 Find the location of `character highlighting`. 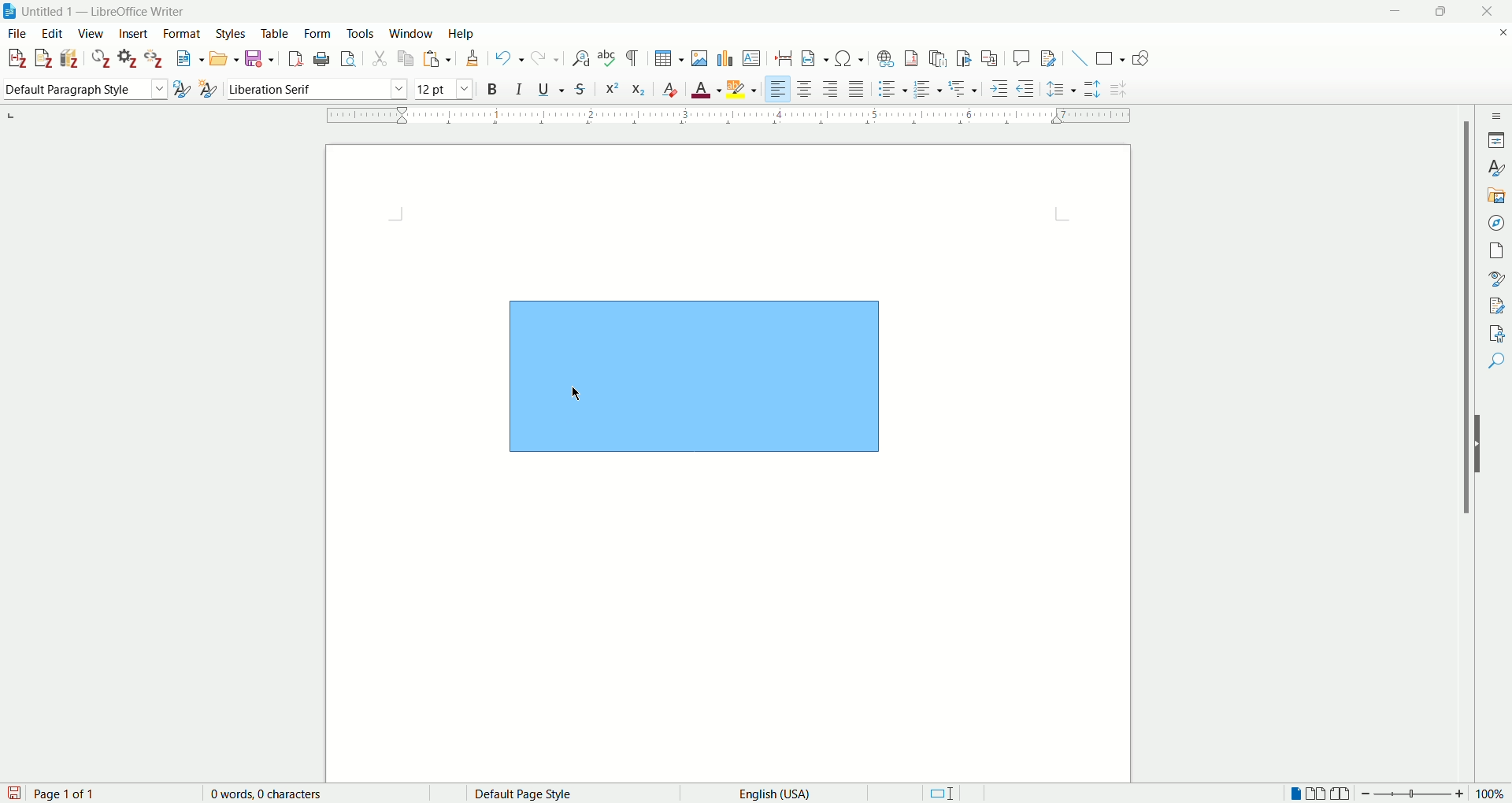

character highlighting is located at coordinates (743, 89).